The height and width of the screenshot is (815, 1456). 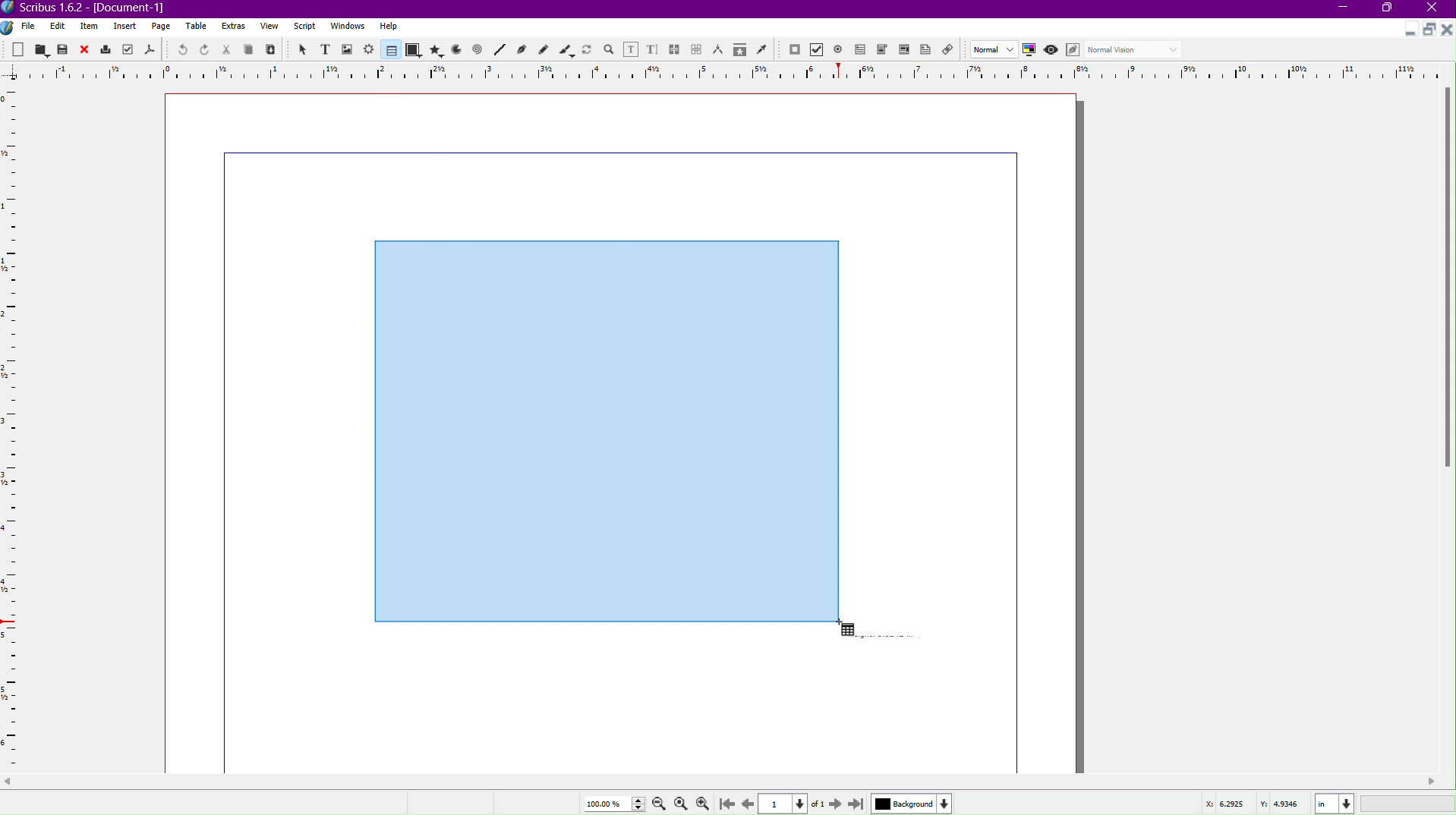 I want to click on PDF Text Field, so click(x=863, y=52).